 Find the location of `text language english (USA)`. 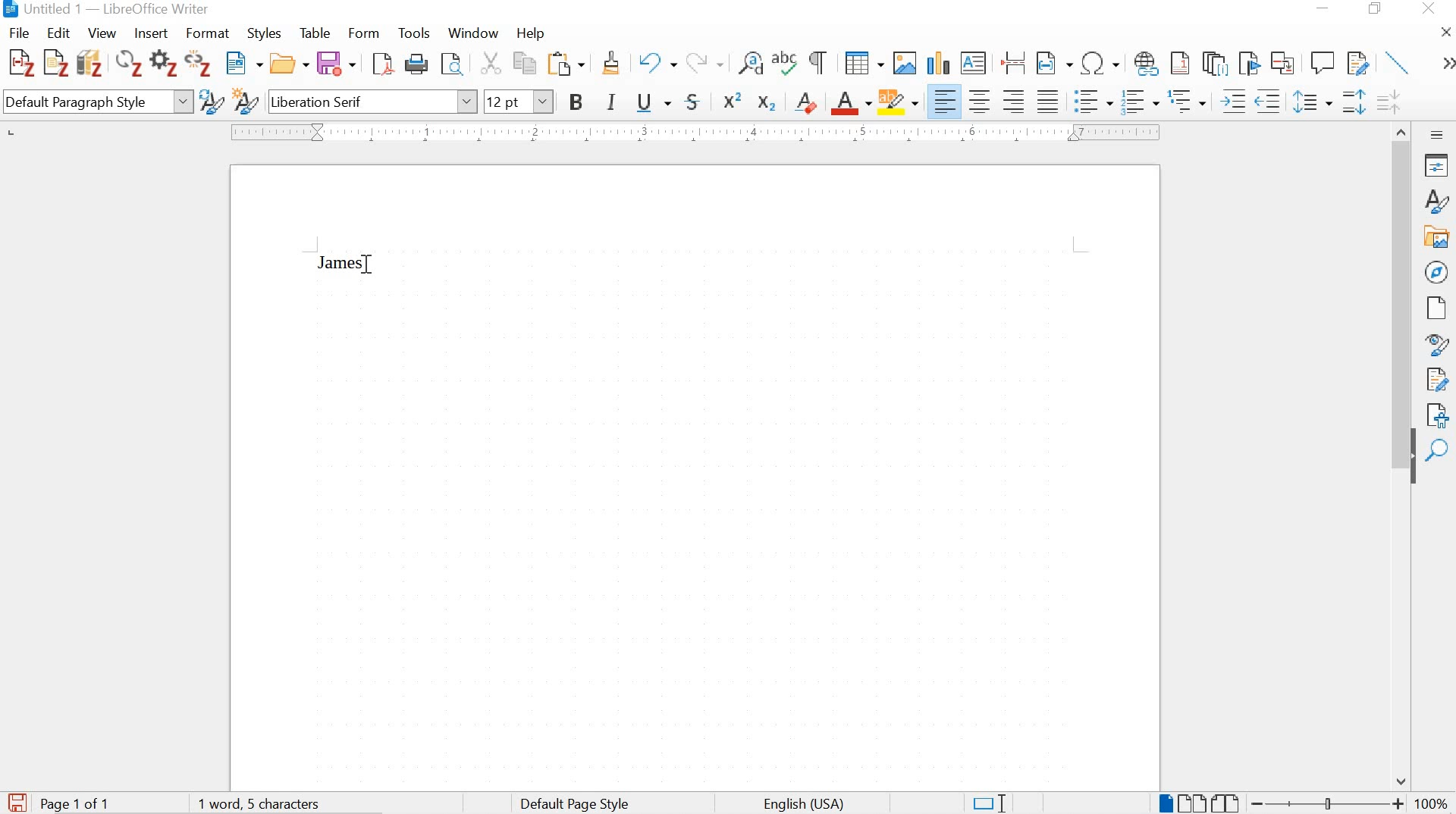

text language english (USA) is located at coordinates (802, 804).